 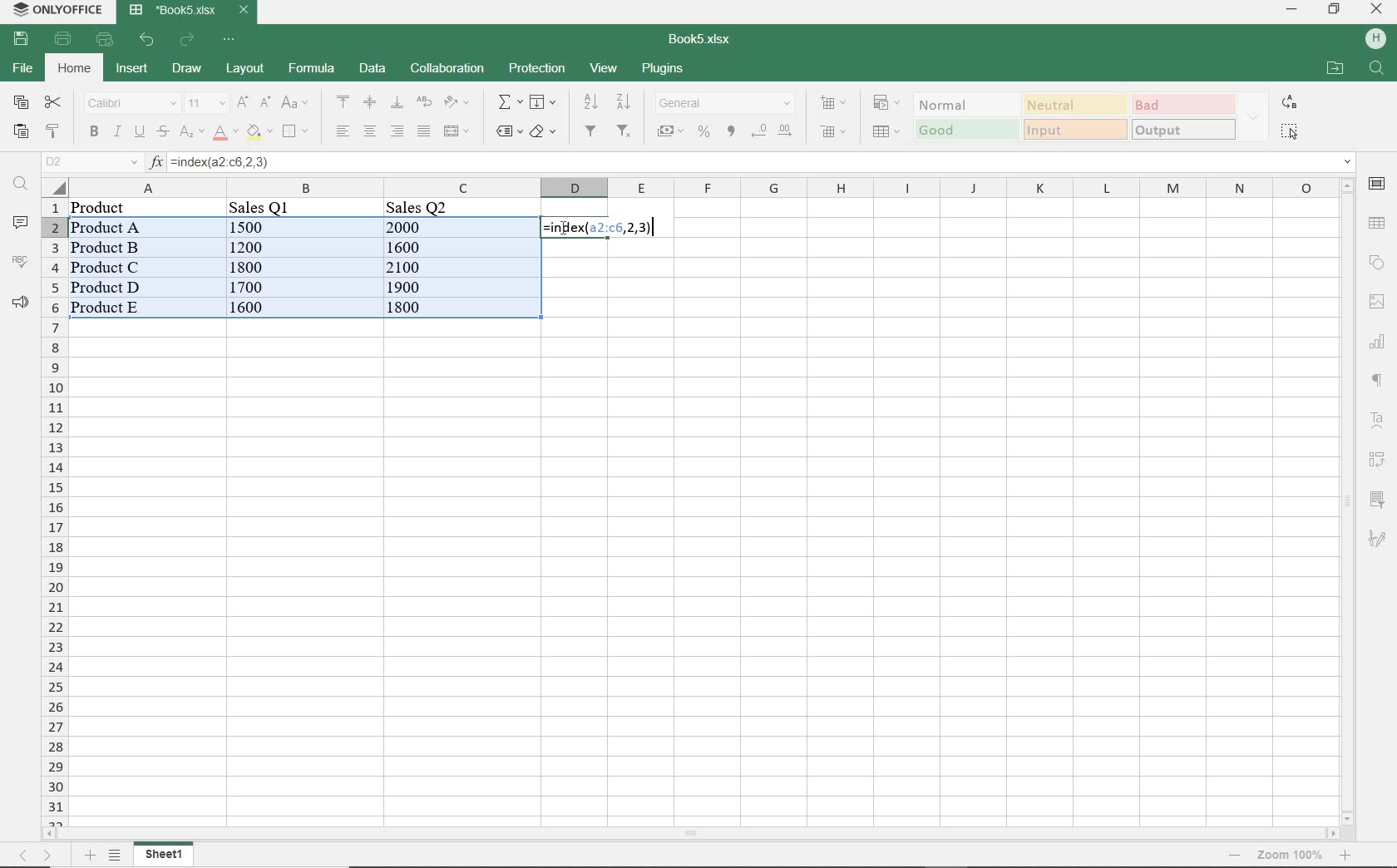 I want to click on plugins, so click(x=664, y=67).